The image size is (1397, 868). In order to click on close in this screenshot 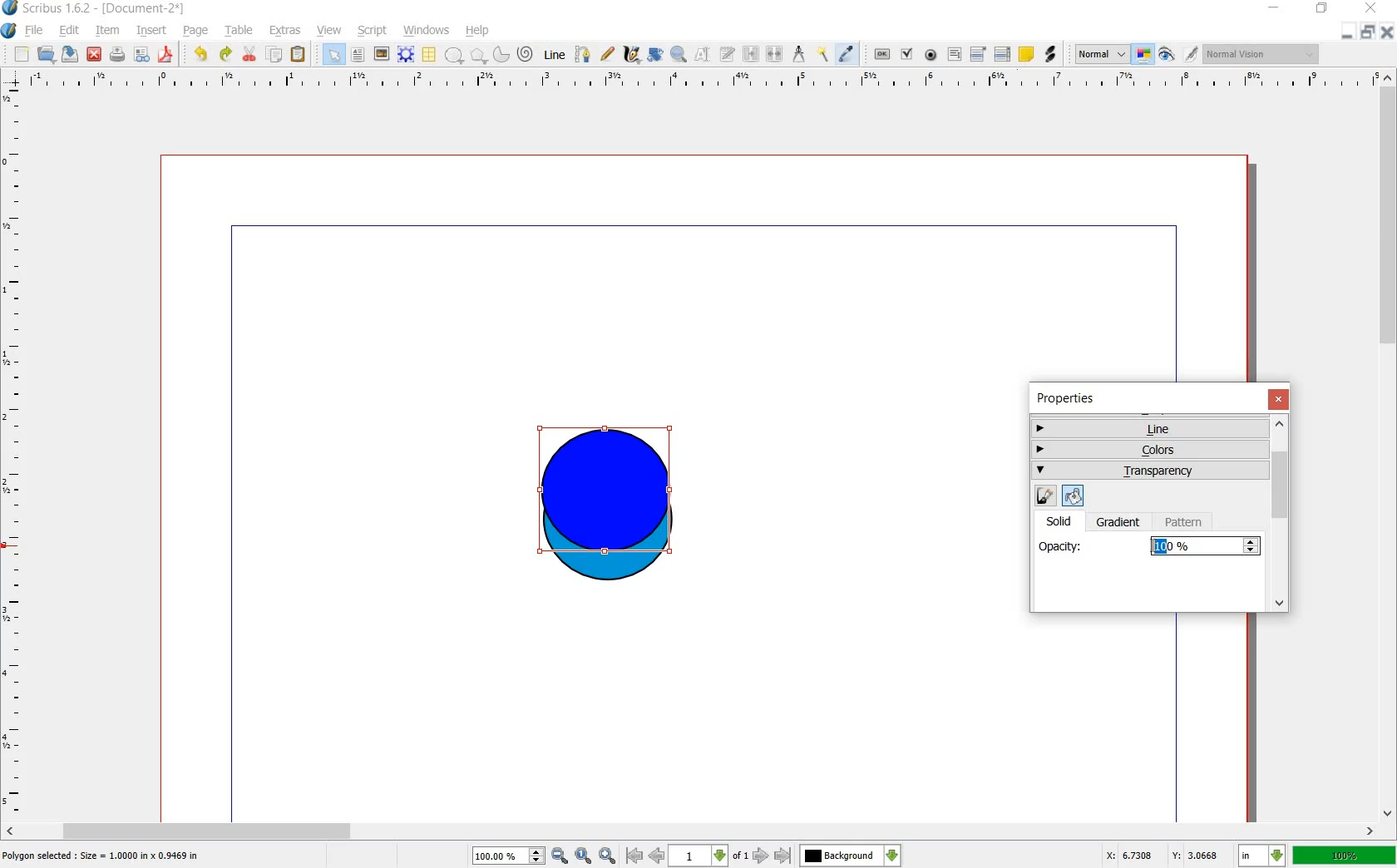, I will do `click(95, 55)`.